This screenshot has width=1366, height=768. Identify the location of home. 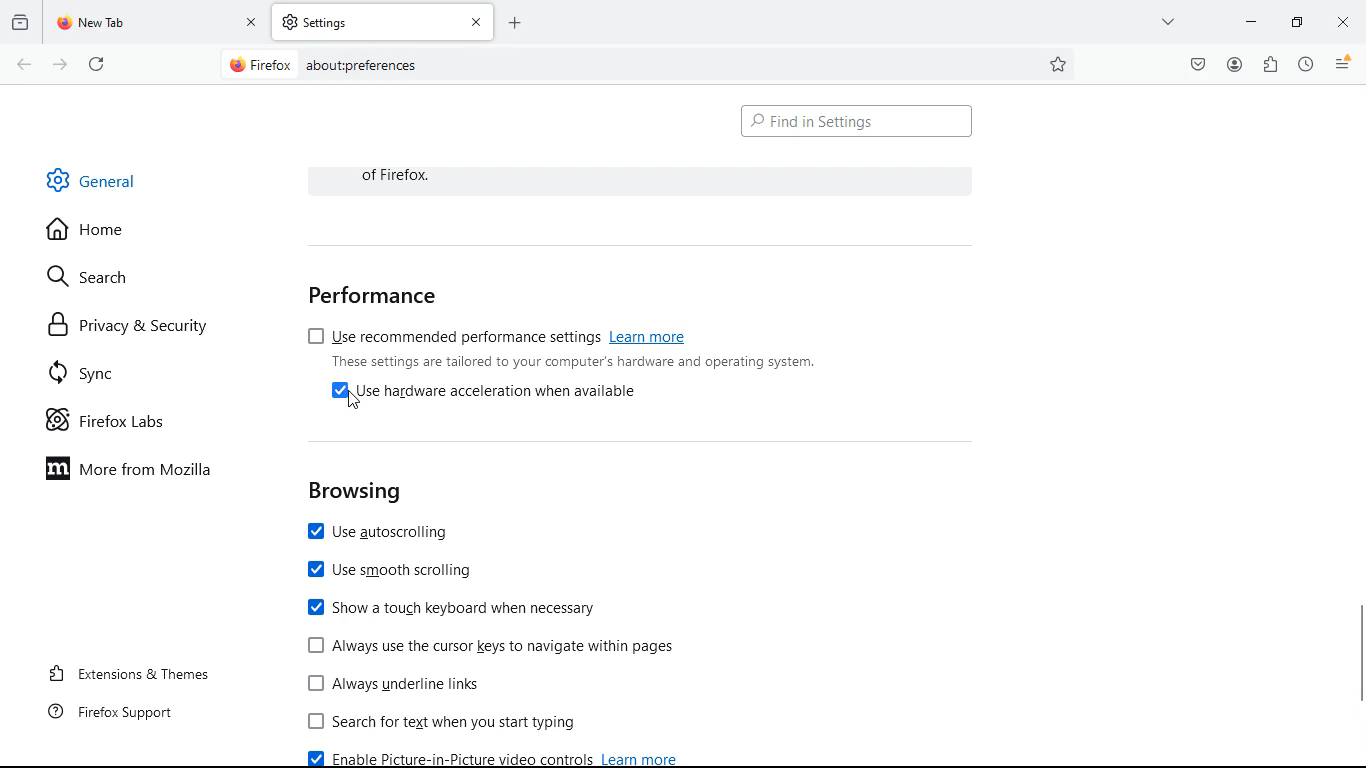
(95, 232).